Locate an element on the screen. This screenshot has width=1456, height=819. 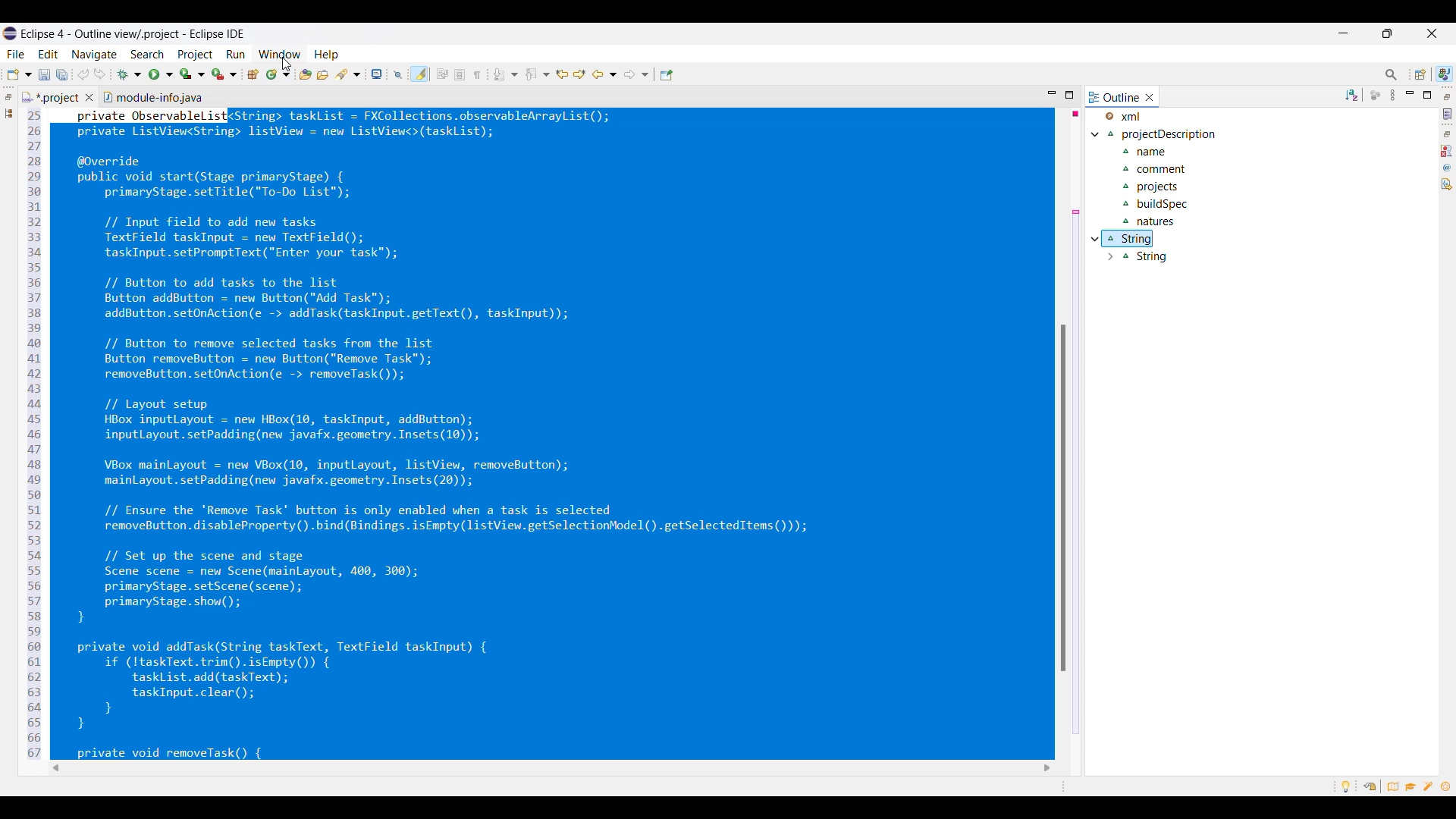
Project menu is located at coordinates (195, 55).